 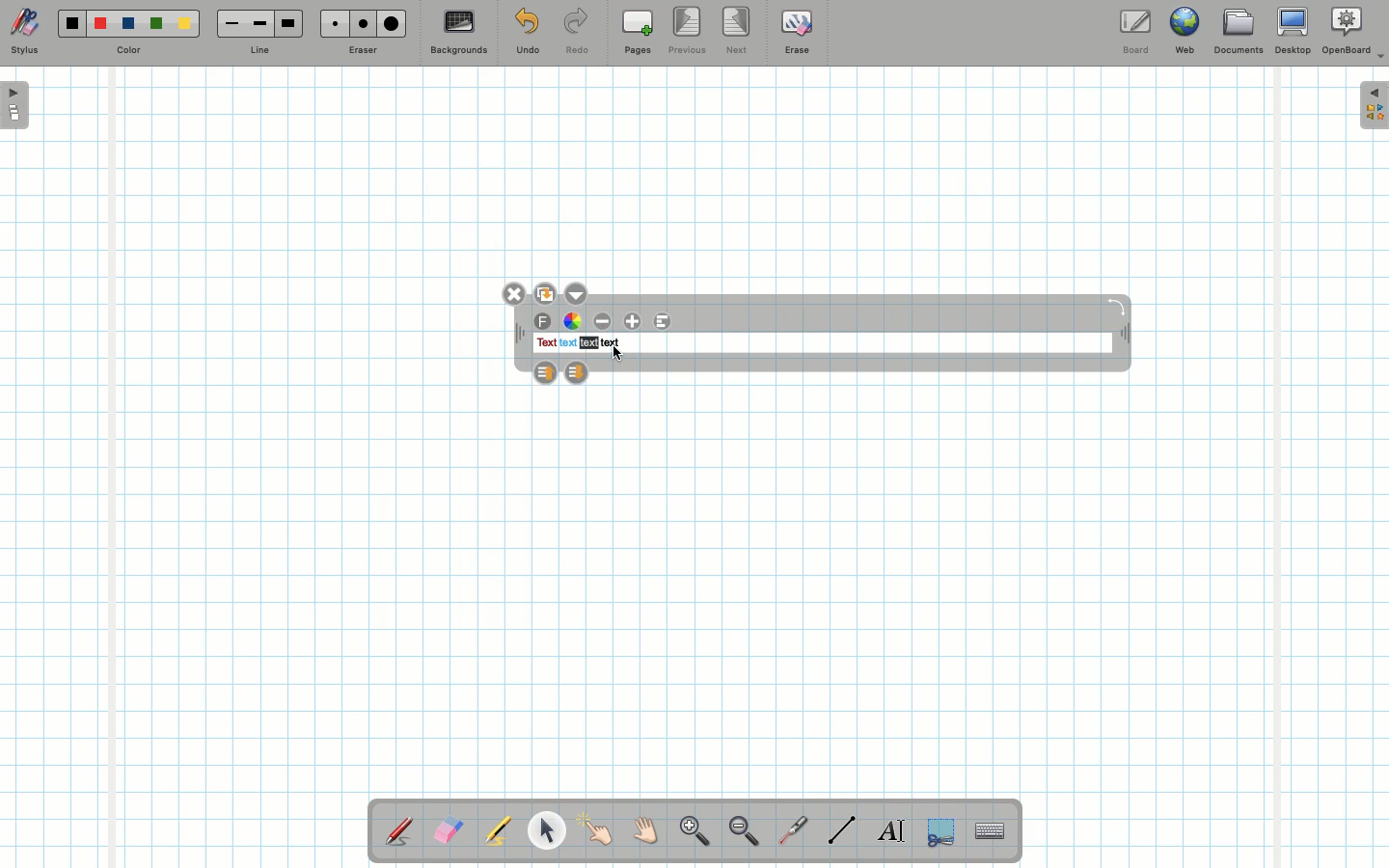 What do you see at coordinates (635, 321) in the screenshot?
I see `Increase font size` at bounding box center [635, 321].